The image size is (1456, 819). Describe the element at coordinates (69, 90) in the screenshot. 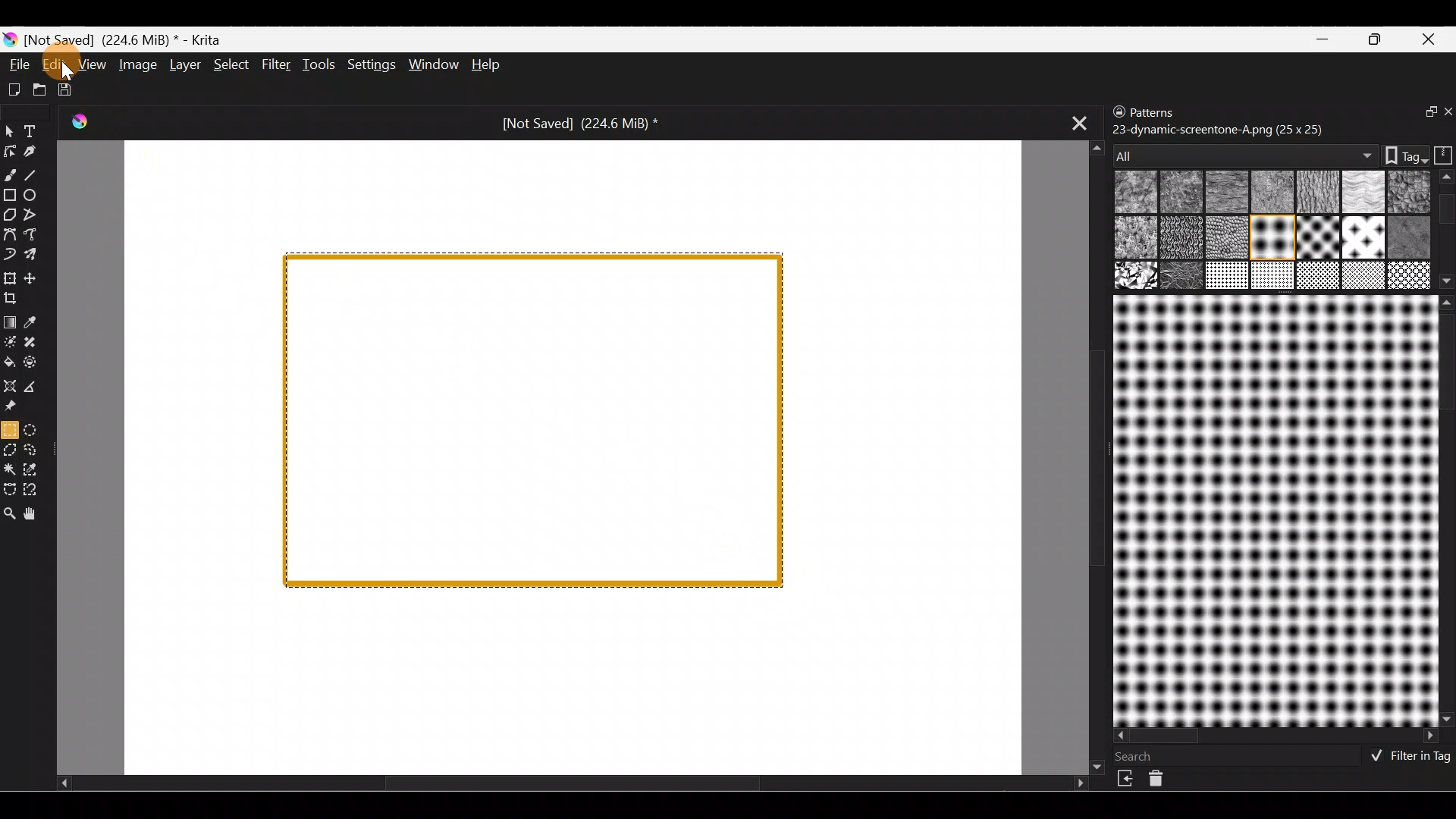

I see `Save` at that location.